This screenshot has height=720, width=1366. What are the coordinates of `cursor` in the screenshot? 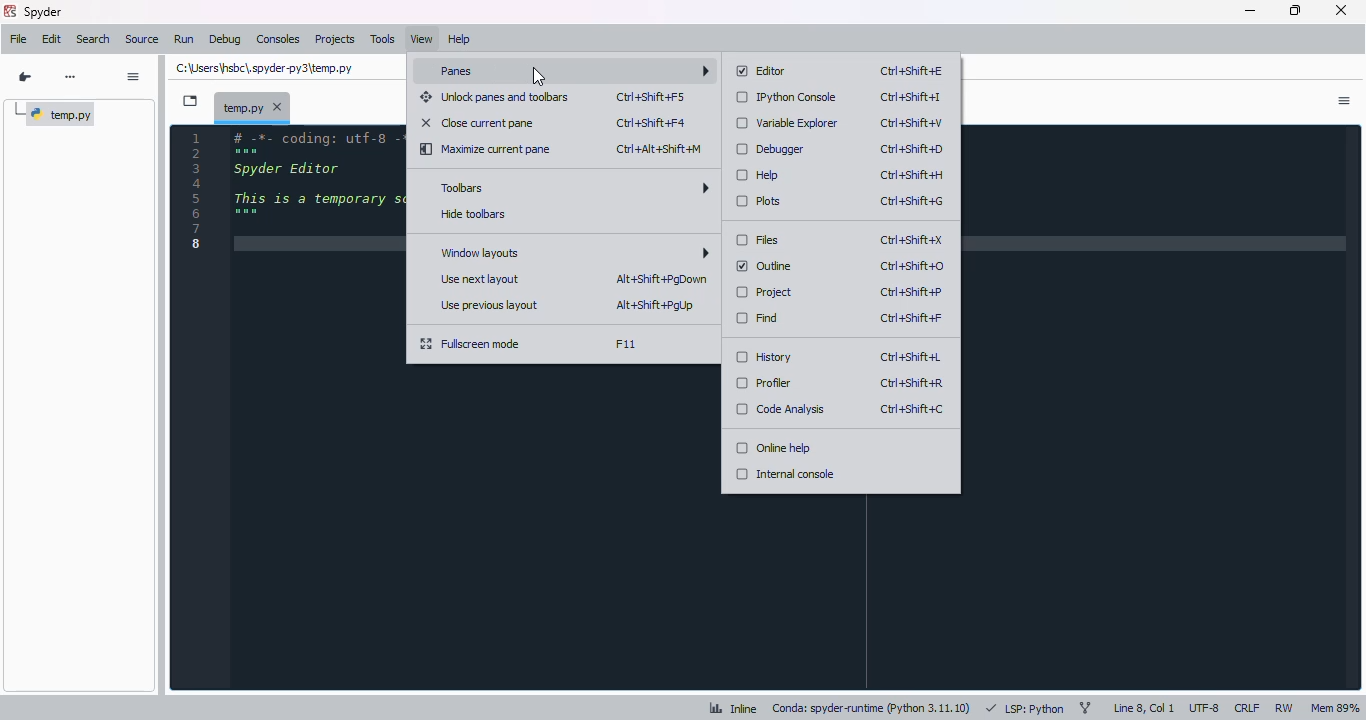 It's located at (540, 76).